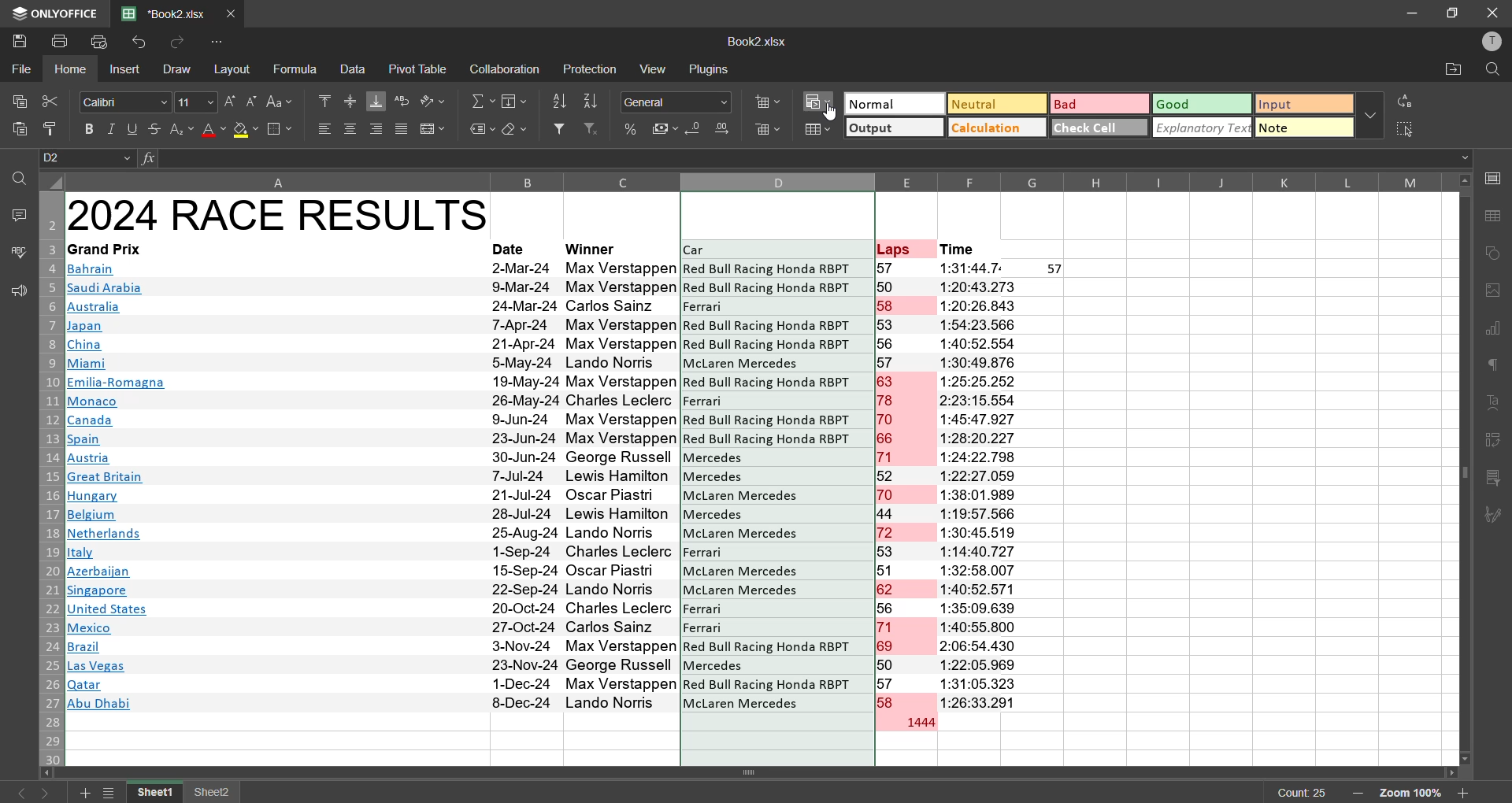 This screenshot has width=1512, height=803. What do you see at coordinates (56, 129) in the screenshot?
I see `copy style` at bounding box center [56, 129].